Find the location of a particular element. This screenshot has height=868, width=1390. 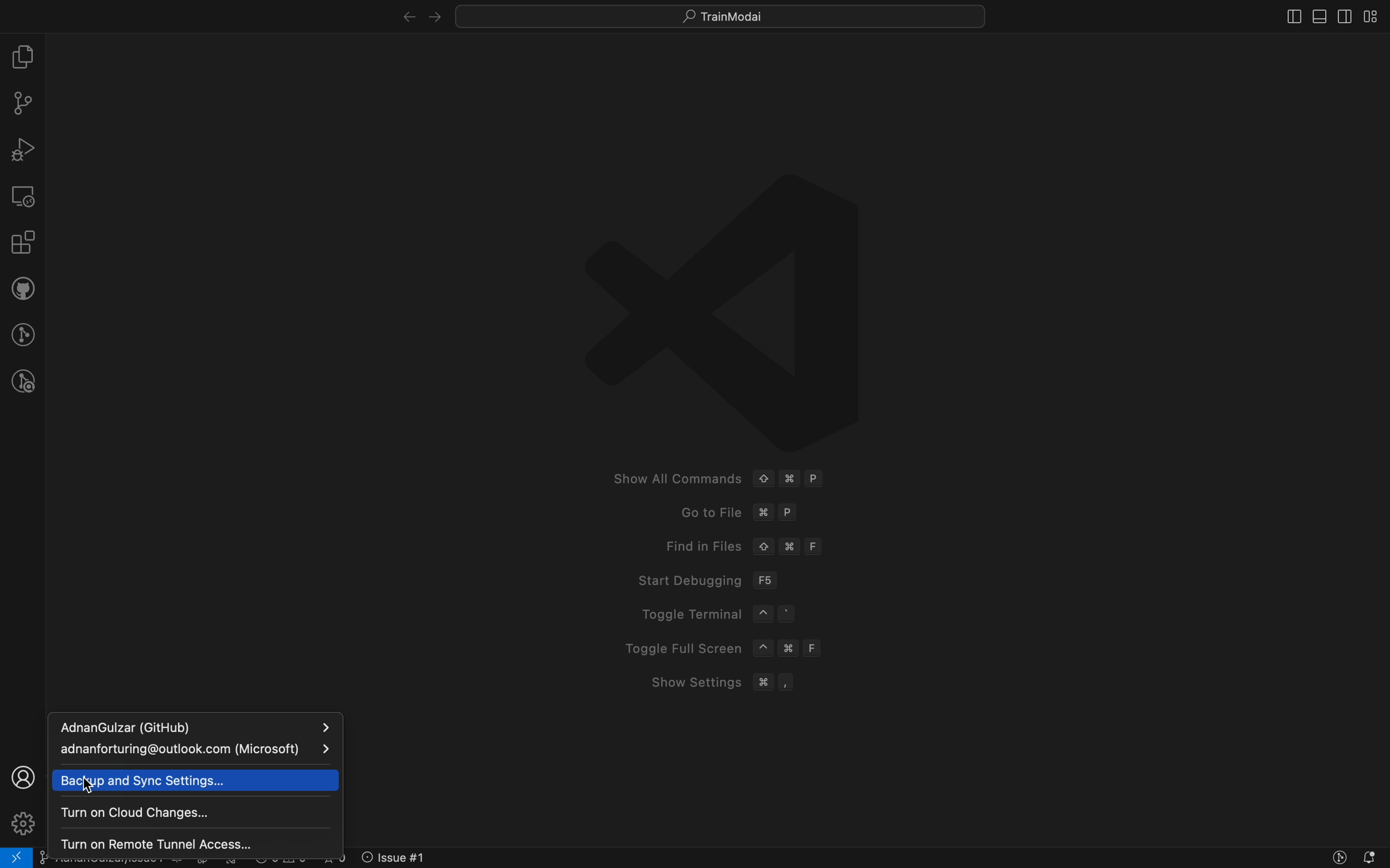

cursor is located at coordinates (101, 781).